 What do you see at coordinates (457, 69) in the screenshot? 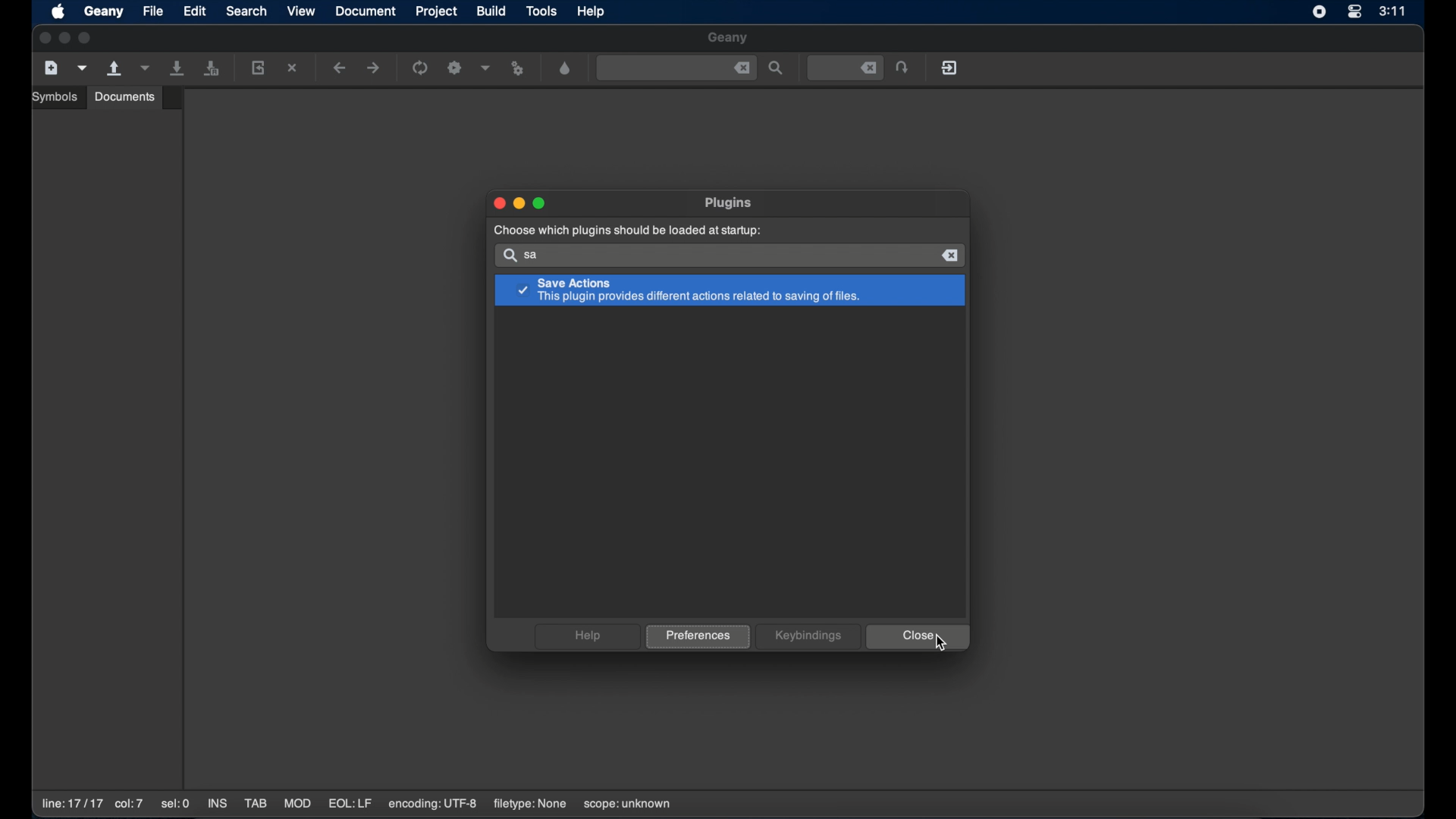
I see `build the current file` at bounding box center [457, 69].